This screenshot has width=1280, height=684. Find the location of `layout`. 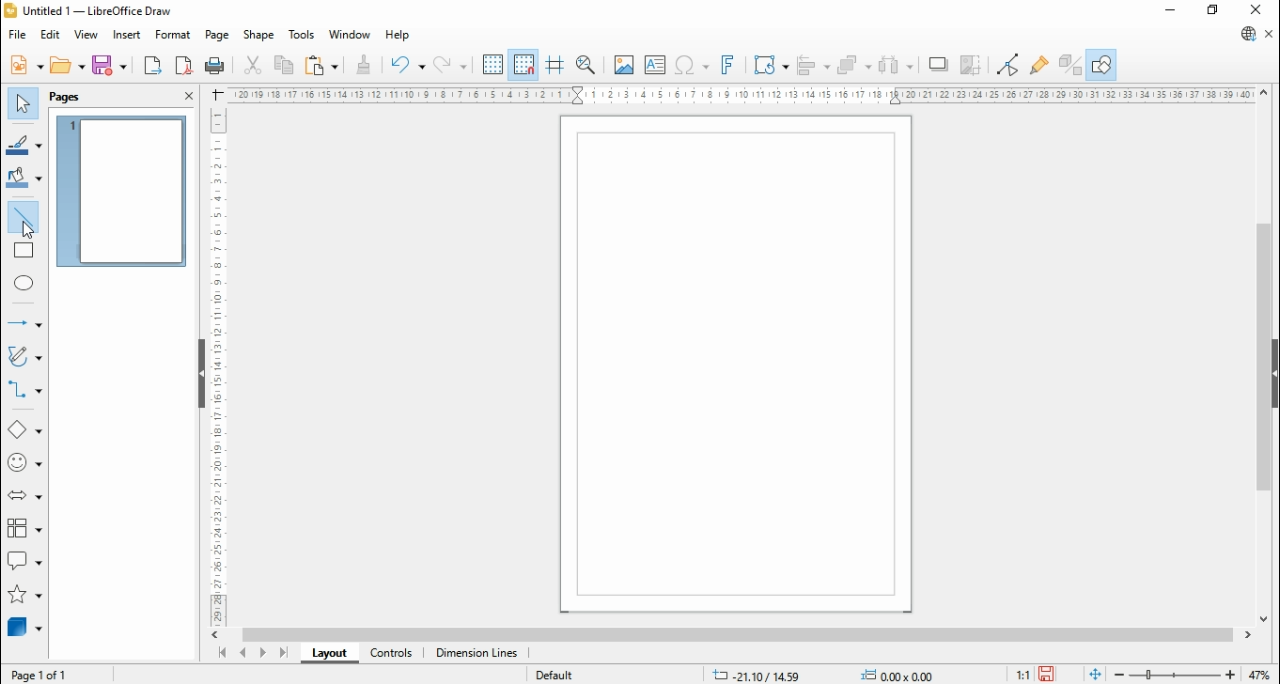

layout is located at coordinates (327, 652).